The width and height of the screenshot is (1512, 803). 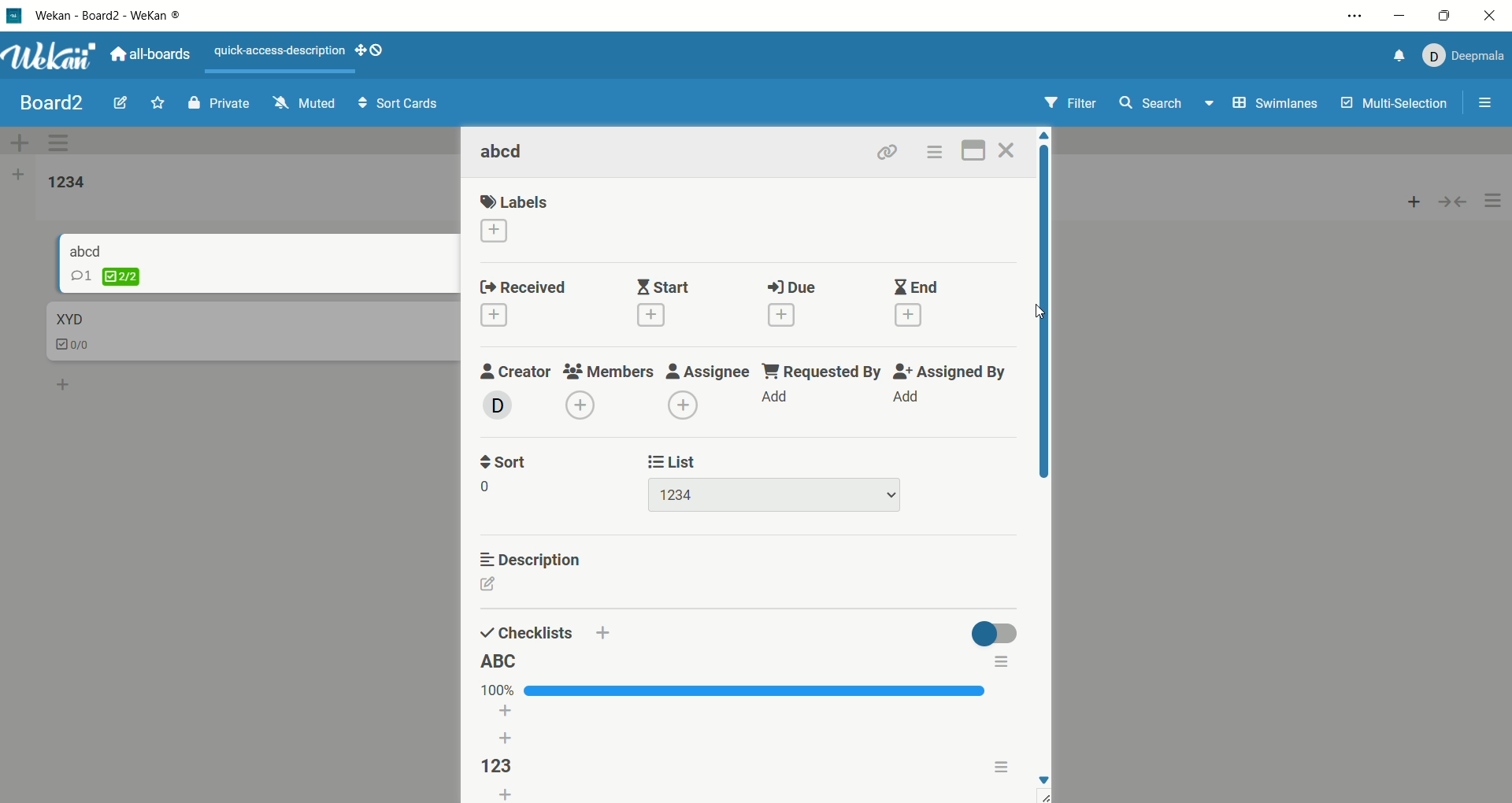 I want to click on add, so click(x=1414, y=198).